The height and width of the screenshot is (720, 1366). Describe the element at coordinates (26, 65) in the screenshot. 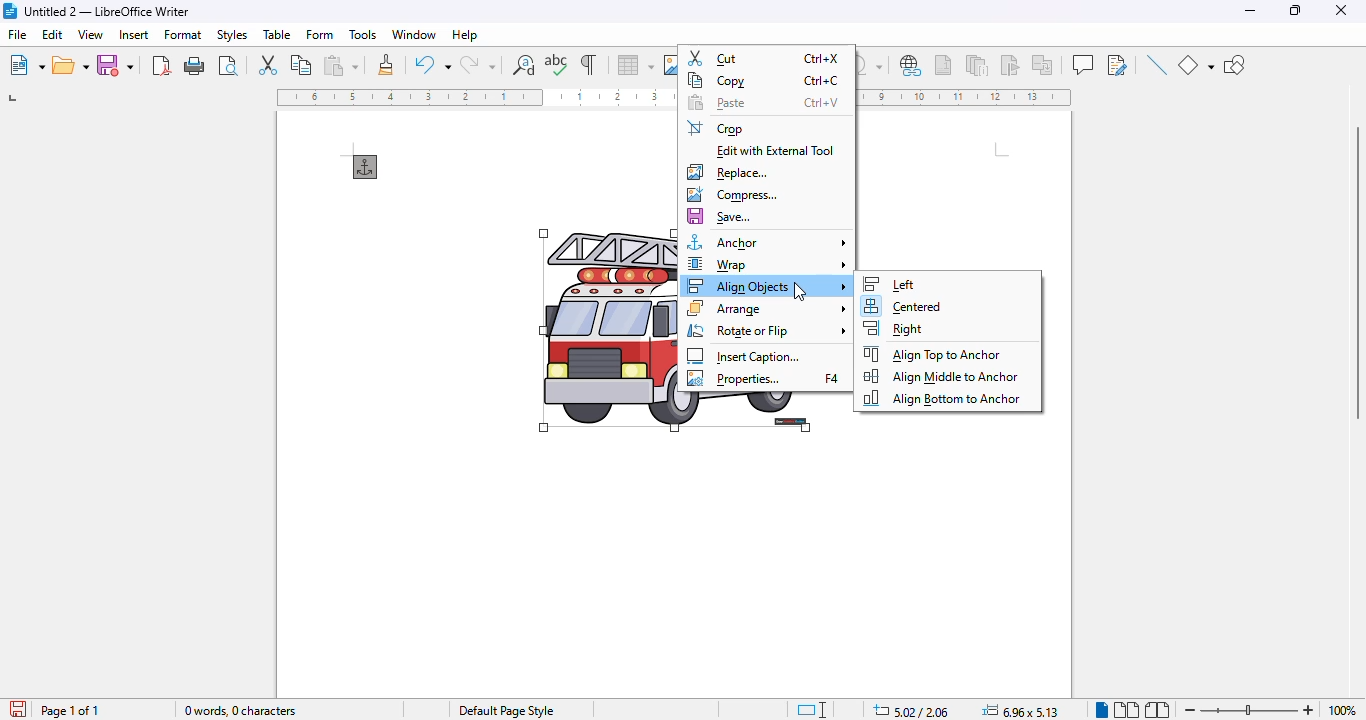

I see `new` at that location.